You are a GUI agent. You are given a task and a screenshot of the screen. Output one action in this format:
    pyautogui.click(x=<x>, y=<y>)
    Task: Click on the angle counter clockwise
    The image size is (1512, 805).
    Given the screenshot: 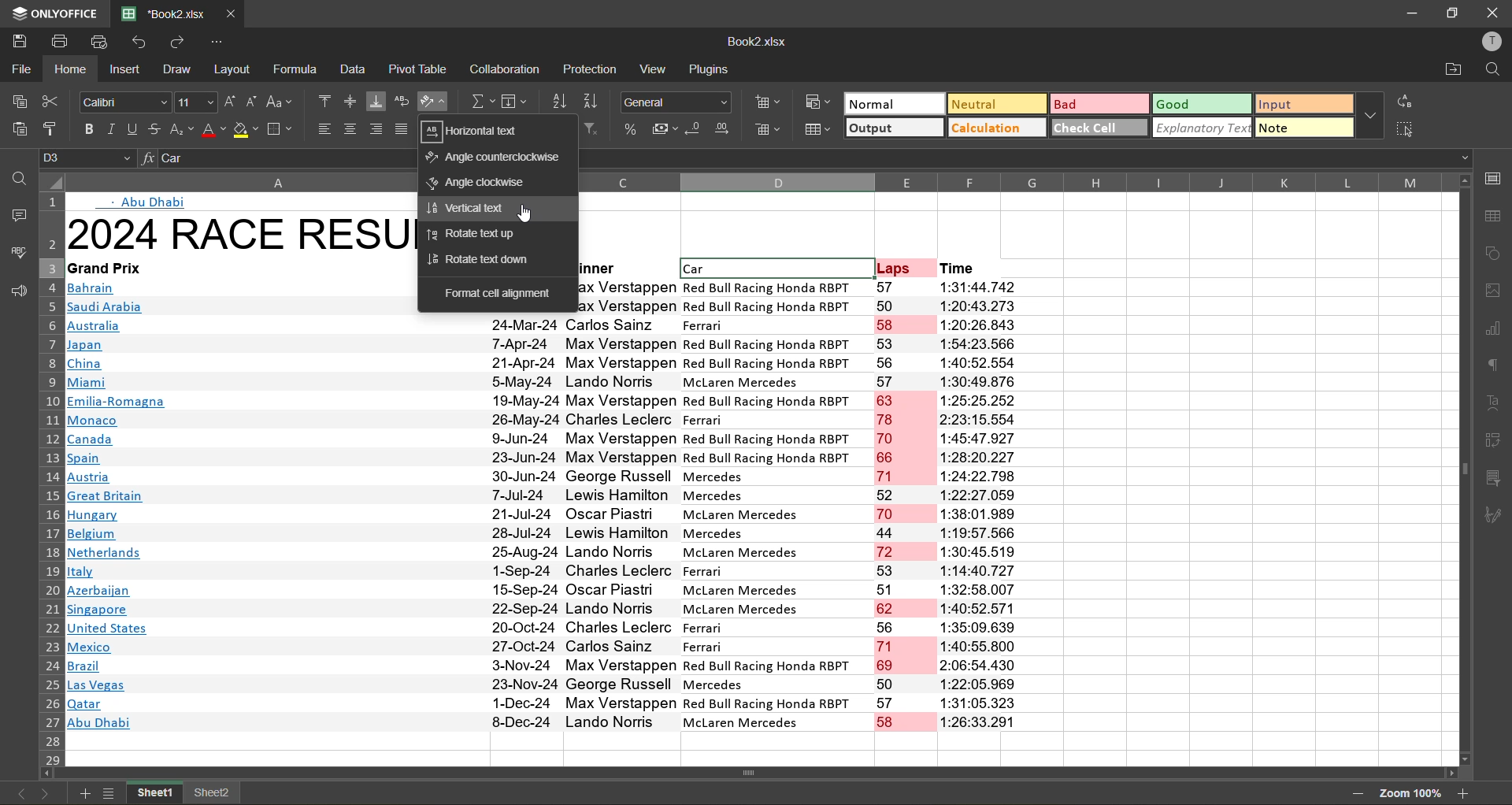 What is the action you would take?
    pyautogui.click(x=497, y=157)
    